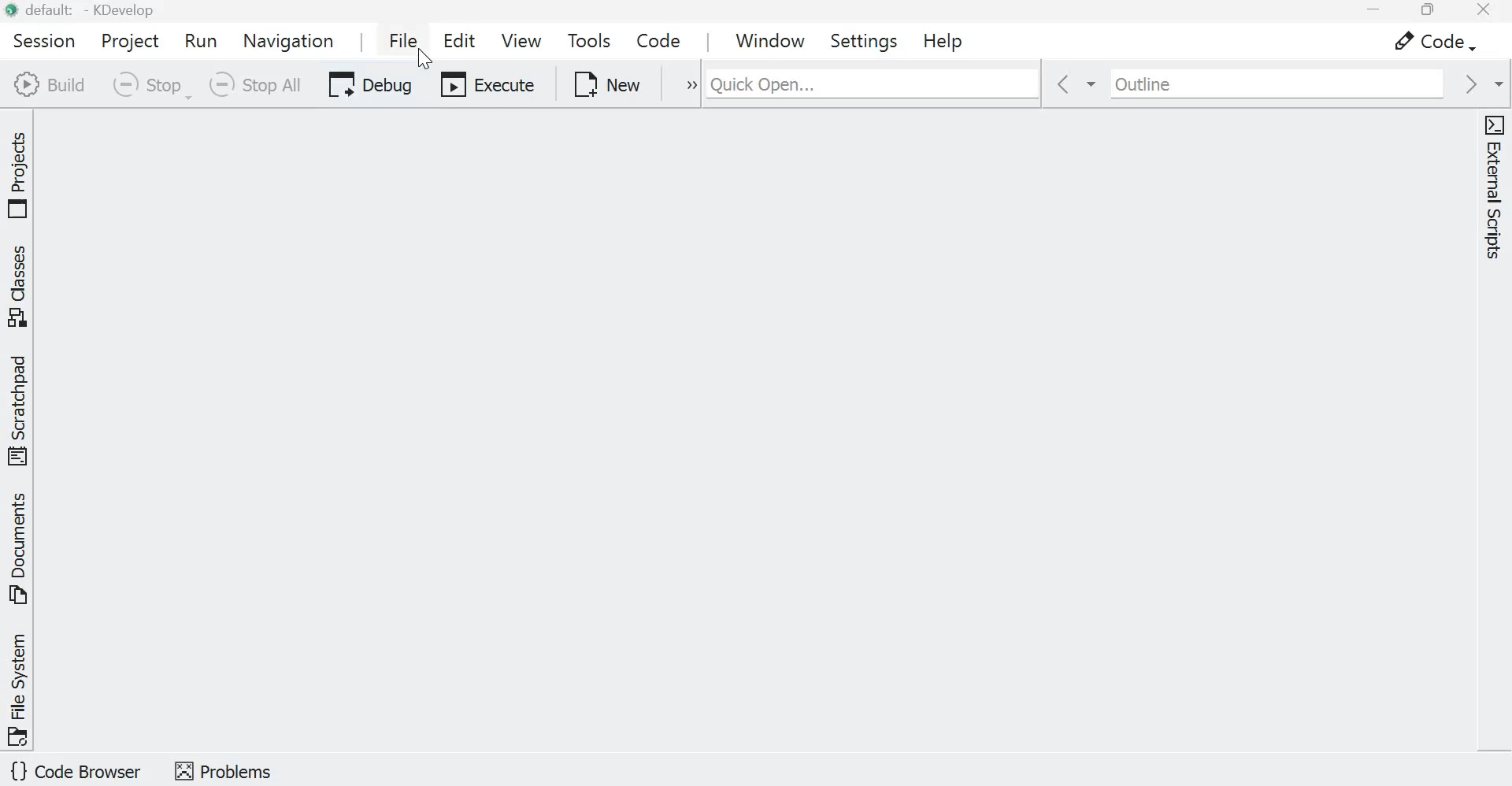 This screenshot has width=1512, height=786. I want to click on Toggle 'Projects' tool view, so click(21, 171).